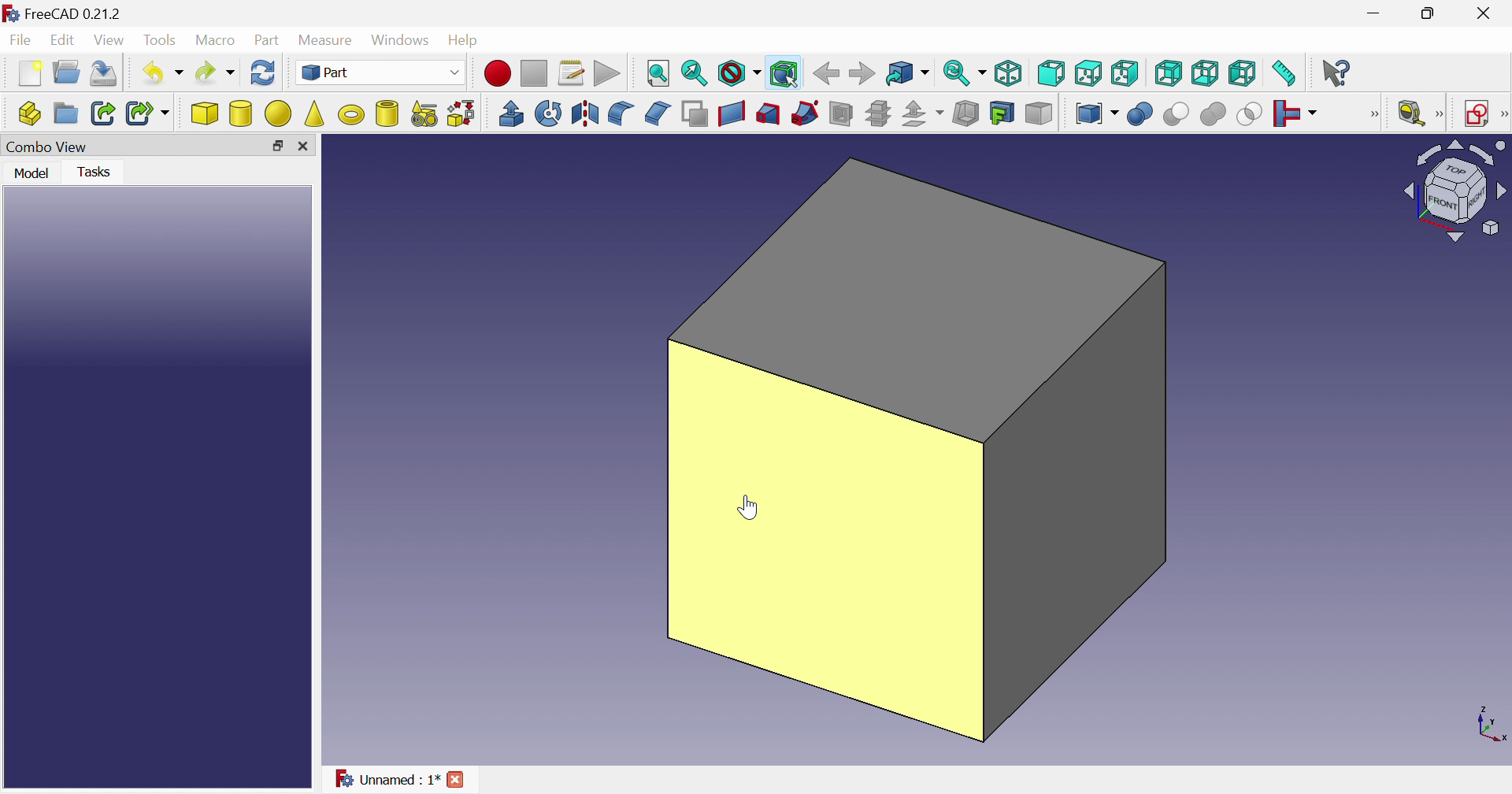 Image resolution: width=1512 pixels, height=794 pixels. Describe the element at coordinates (1483, 17) in the screenshot. I see `Close` at that location.